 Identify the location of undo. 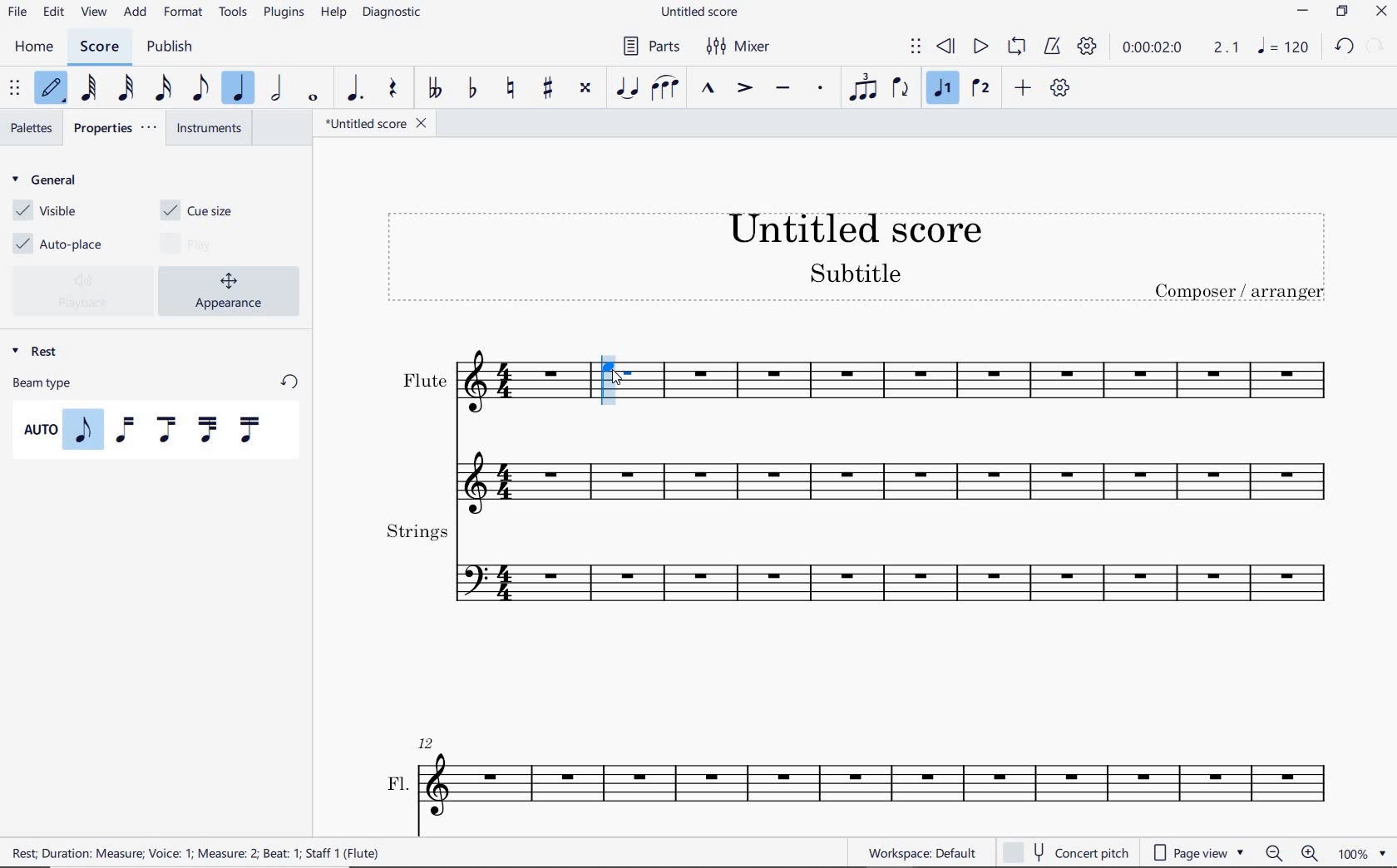
(1343, 45).